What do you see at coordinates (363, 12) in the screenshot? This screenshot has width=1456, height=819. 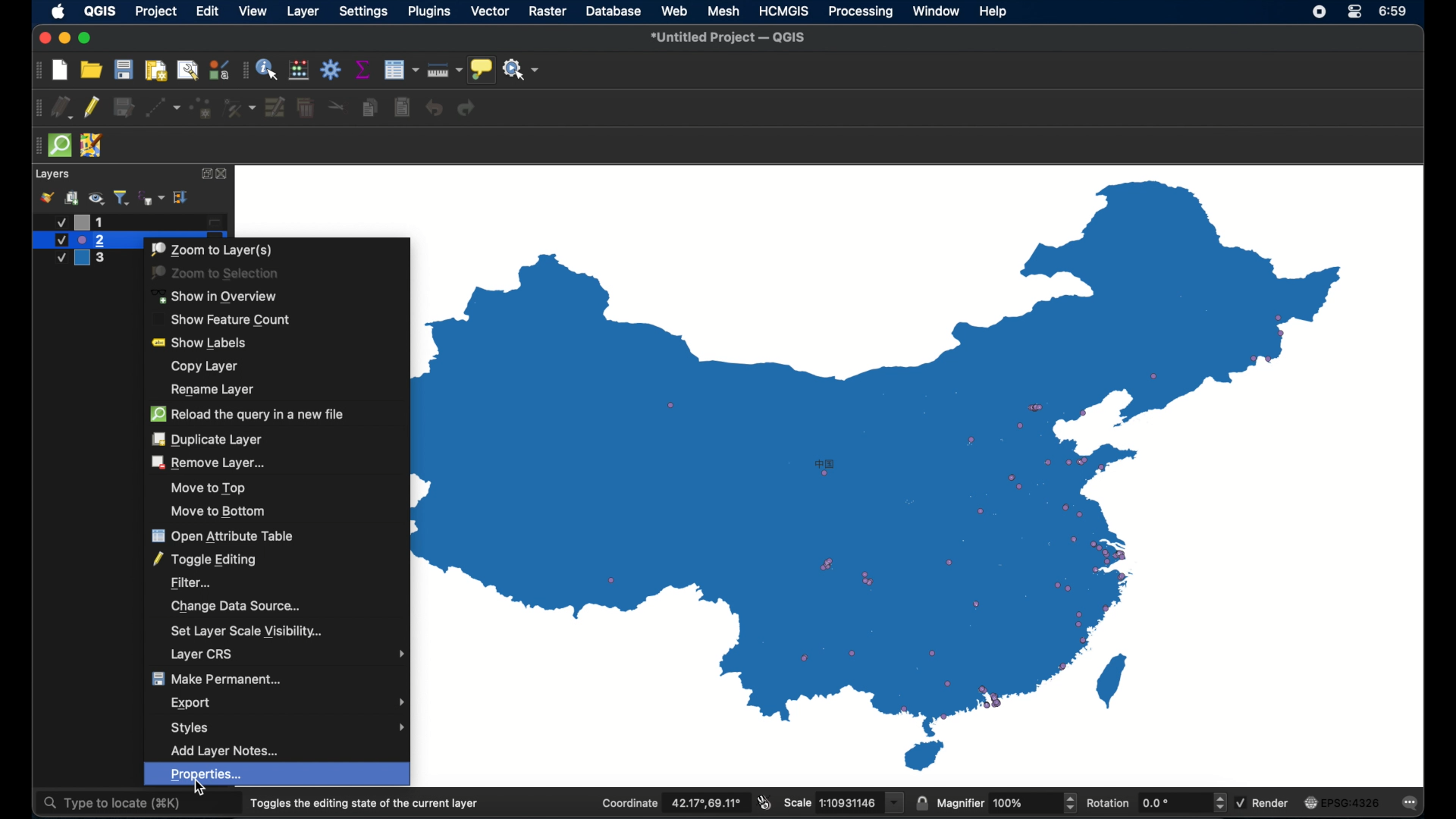 I see `settings` at bounding box center [363, 12].